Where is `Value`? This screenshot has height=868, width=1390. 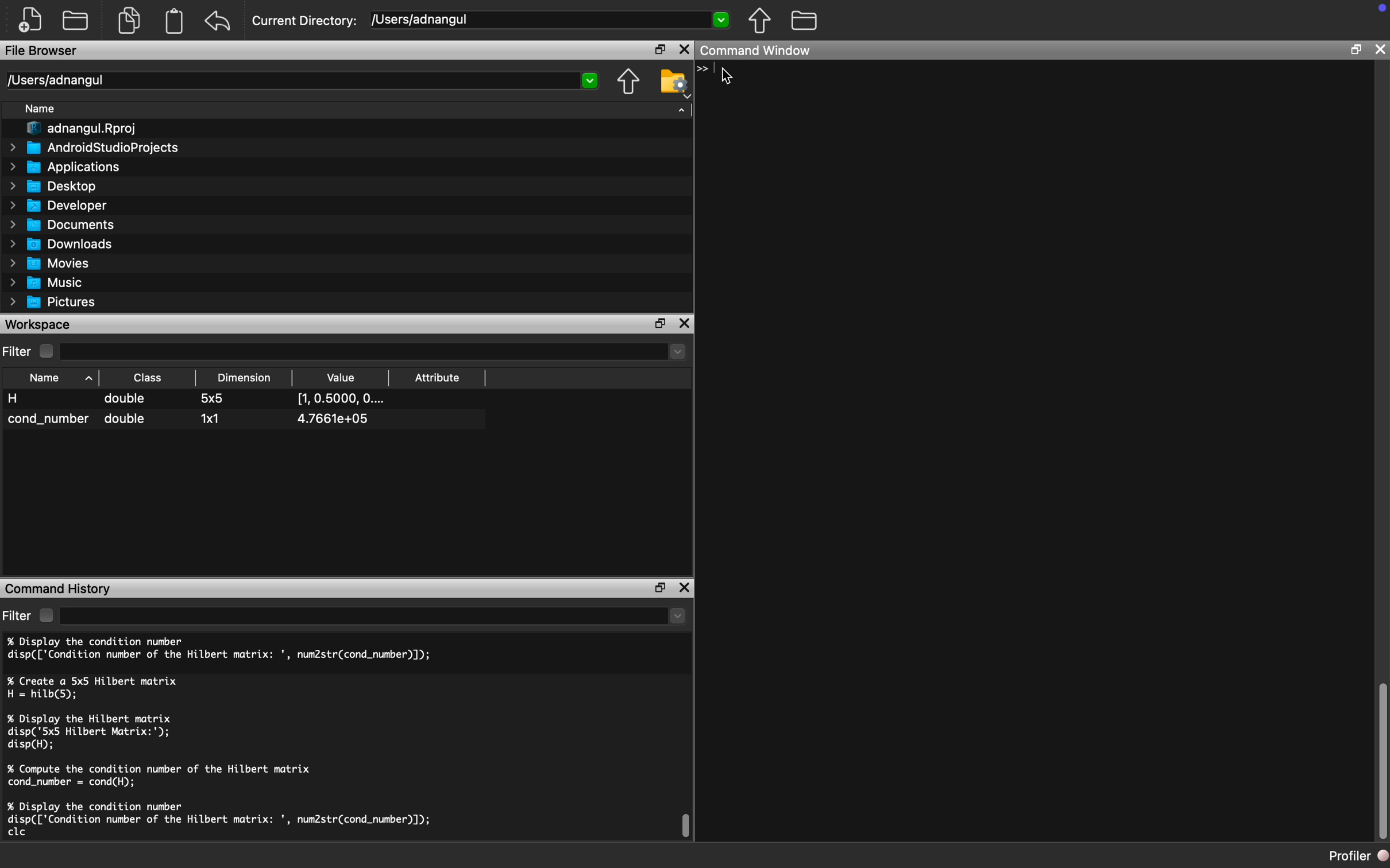 Value is located at coordinates (339, 377).